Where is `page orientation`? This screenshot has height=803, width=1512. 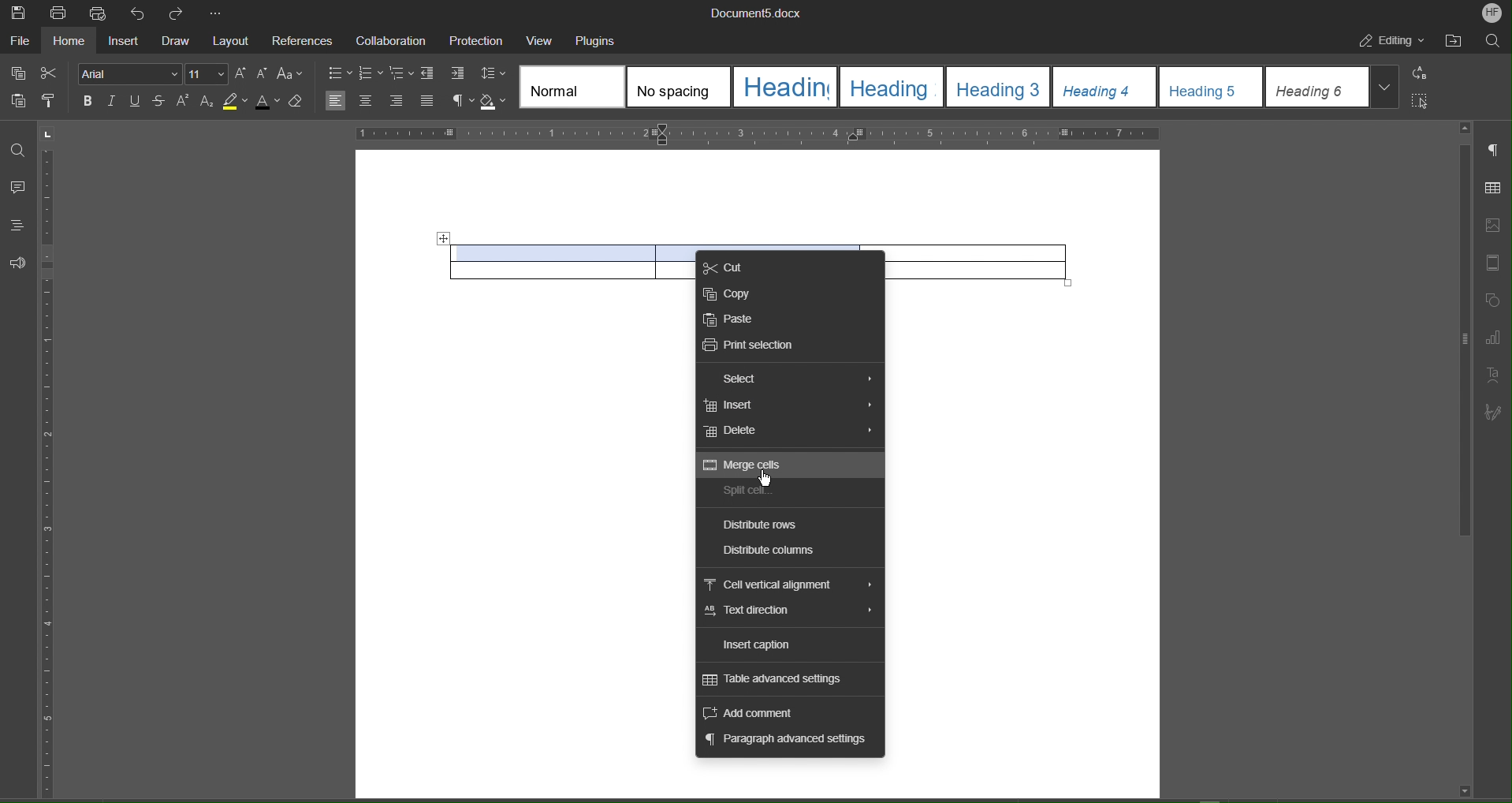 page orientation is located at coordinates (48, 133).